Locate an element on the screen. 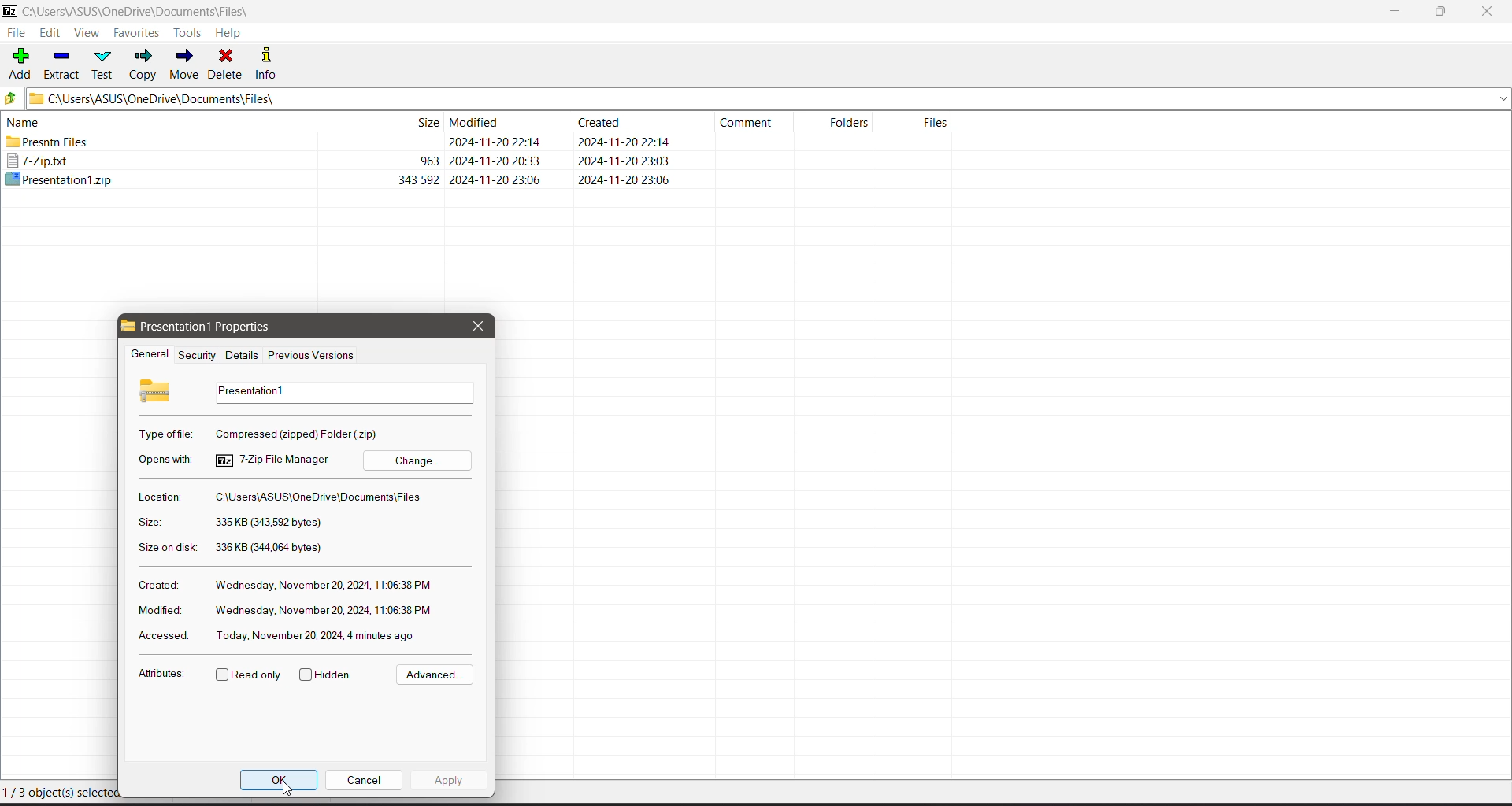  General is located at coordinates (147, 355).